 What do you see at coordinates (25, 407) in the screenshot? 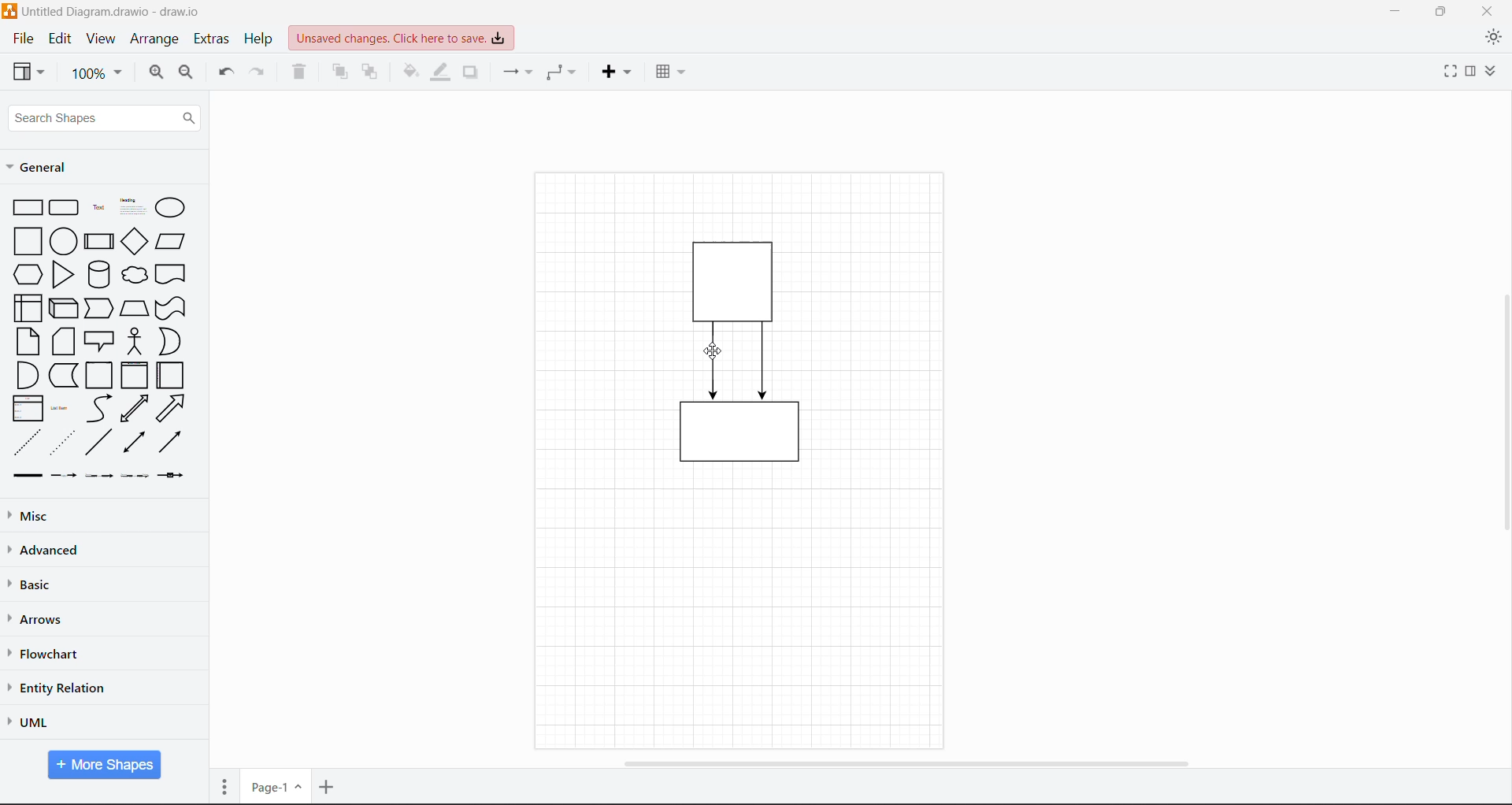
I see `List` at bounding box center [25, 407].